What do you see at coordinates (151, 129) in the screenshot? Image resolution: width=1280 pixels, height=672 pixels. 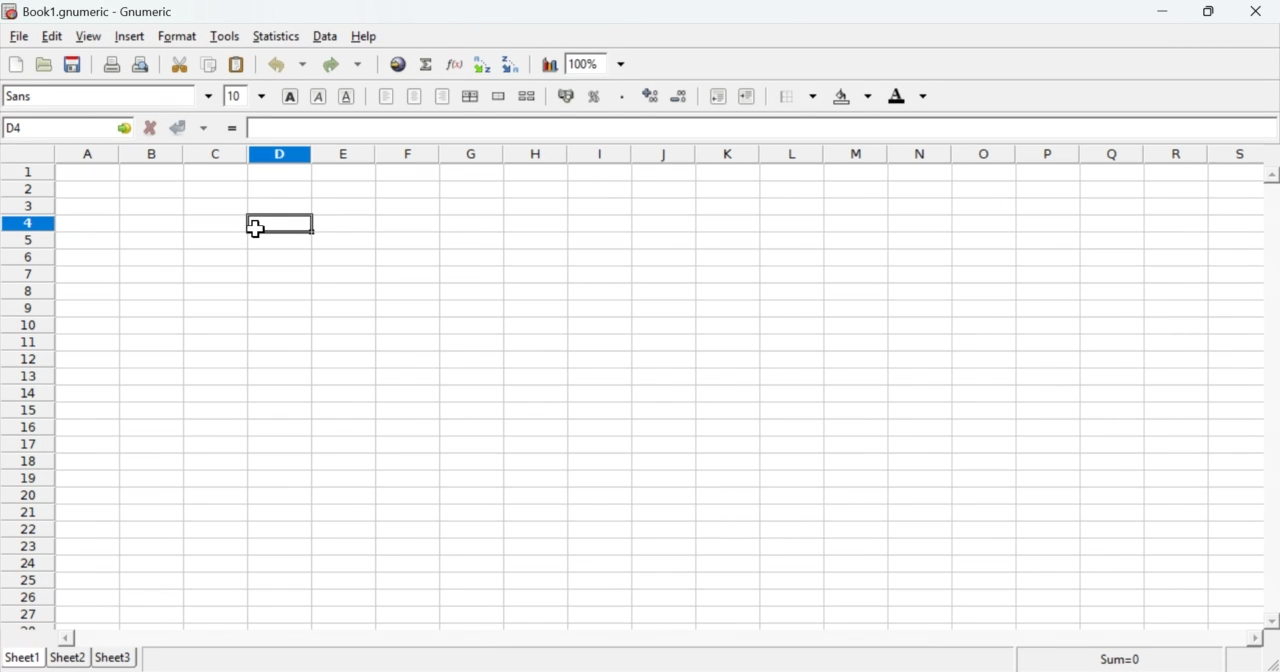 I see `Cancel change` at bounding box center [151, 129].